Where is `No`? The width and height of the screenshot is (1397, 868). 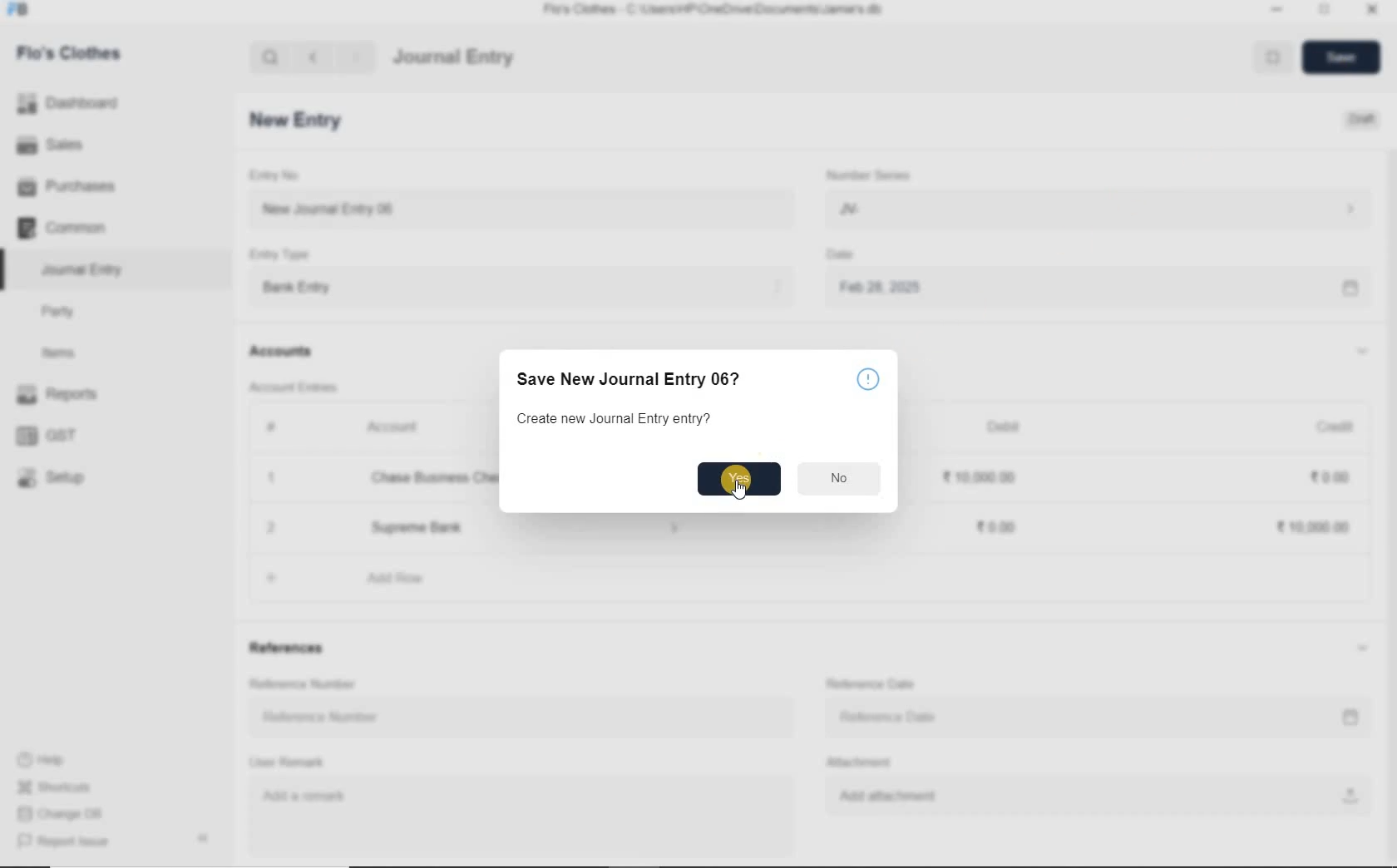
No is located at coordinates (840, 477).